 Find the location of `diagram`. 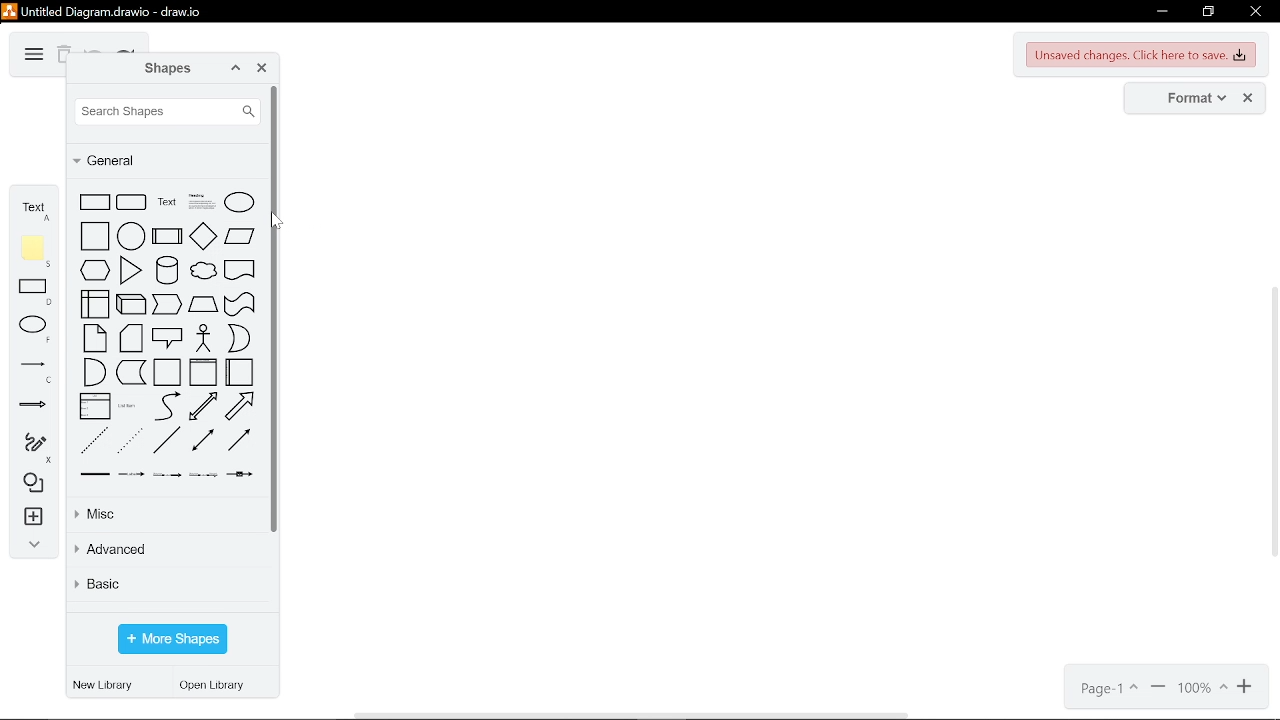

diagram is located at coordinates (32, 55).